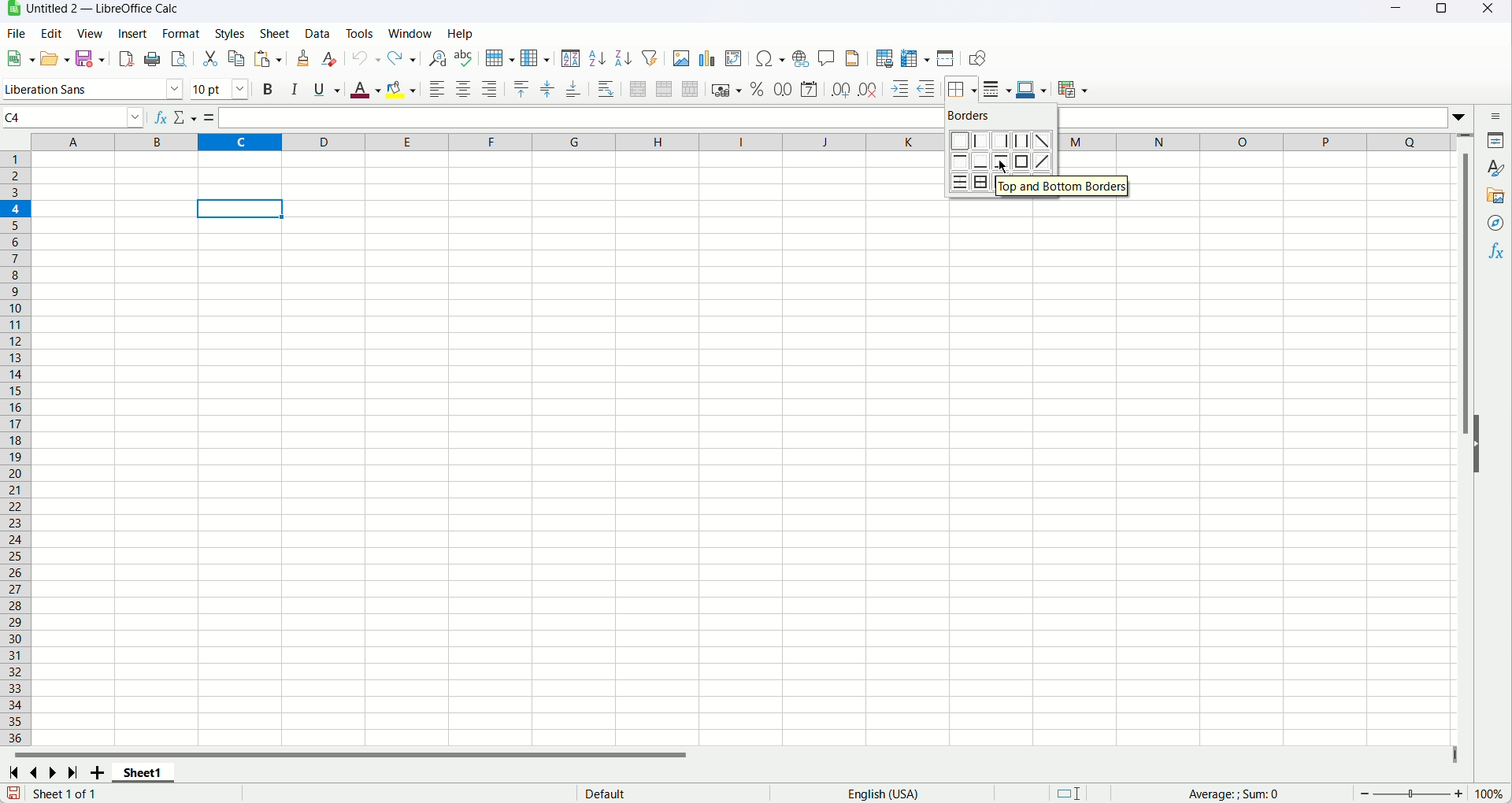  What do you see at coordinates (915, 58) in the screenshot?
I see `Freeze rows and column` at bounding box center [915, 58].